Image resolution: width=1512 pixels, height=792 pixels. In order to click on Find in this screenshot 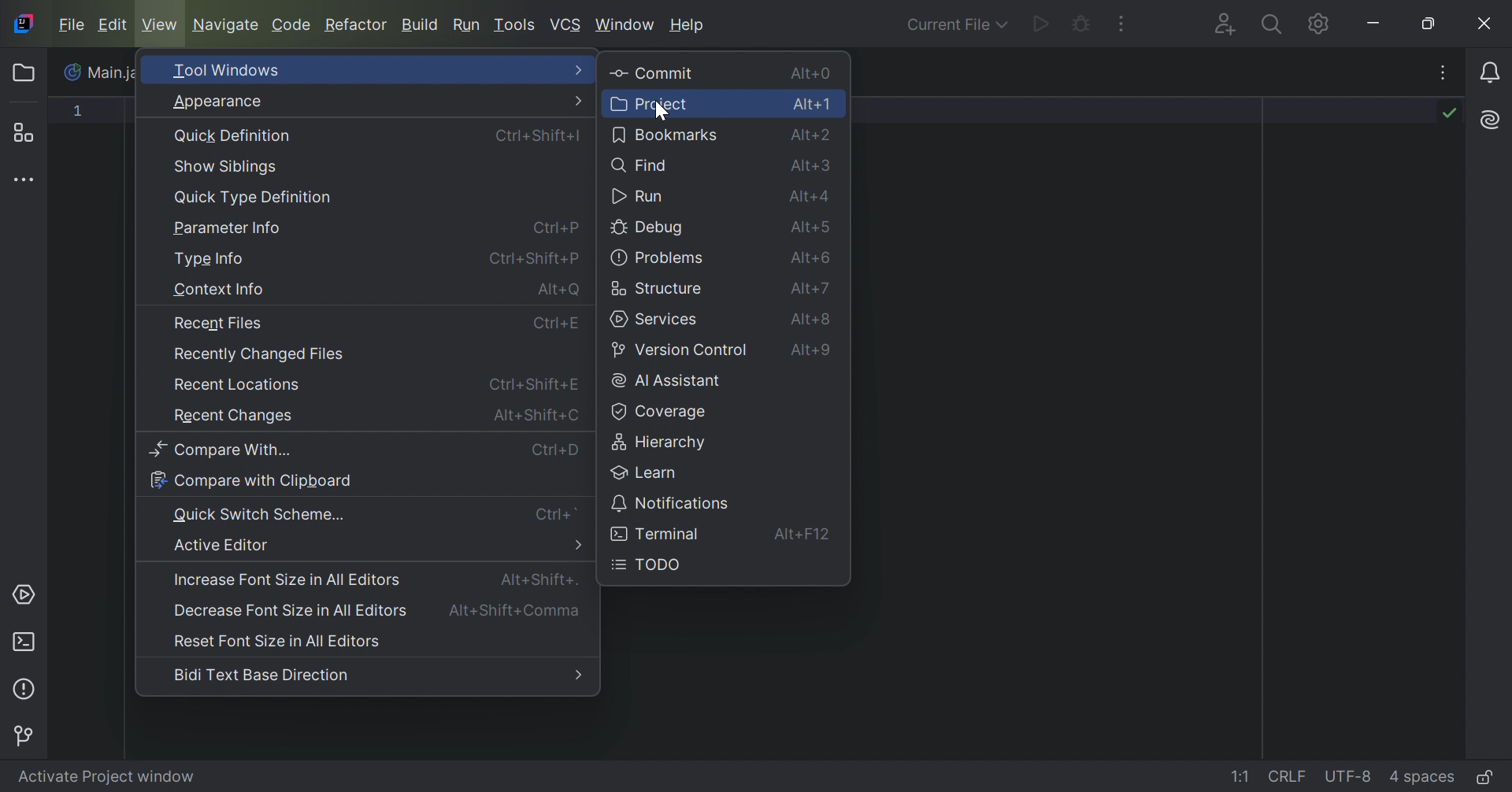, I will do `click(639, 165)`.